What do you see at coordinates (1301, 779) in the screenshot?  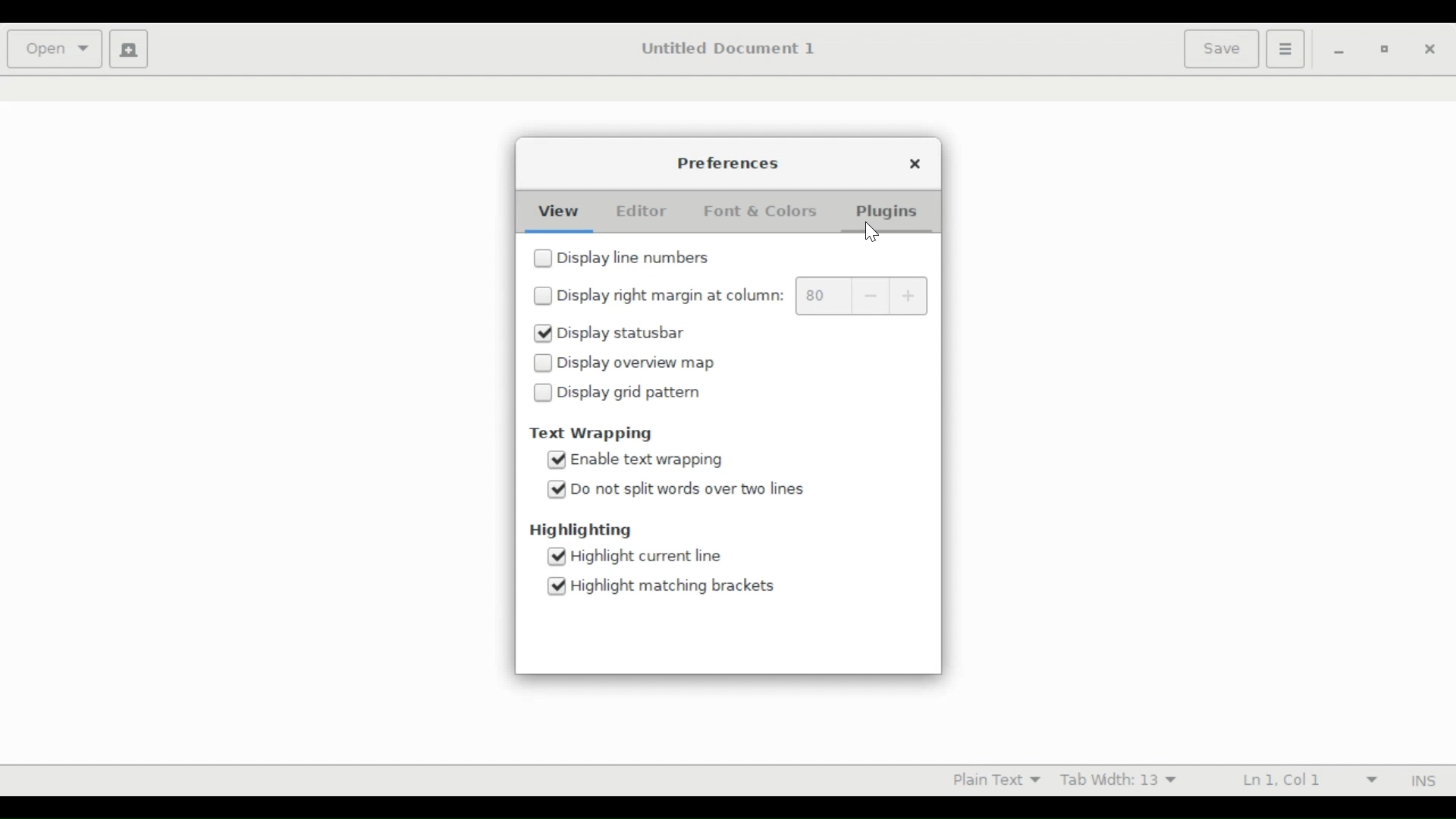 I see `Ln 1 Col 1` at bounding box center [1301, 779].